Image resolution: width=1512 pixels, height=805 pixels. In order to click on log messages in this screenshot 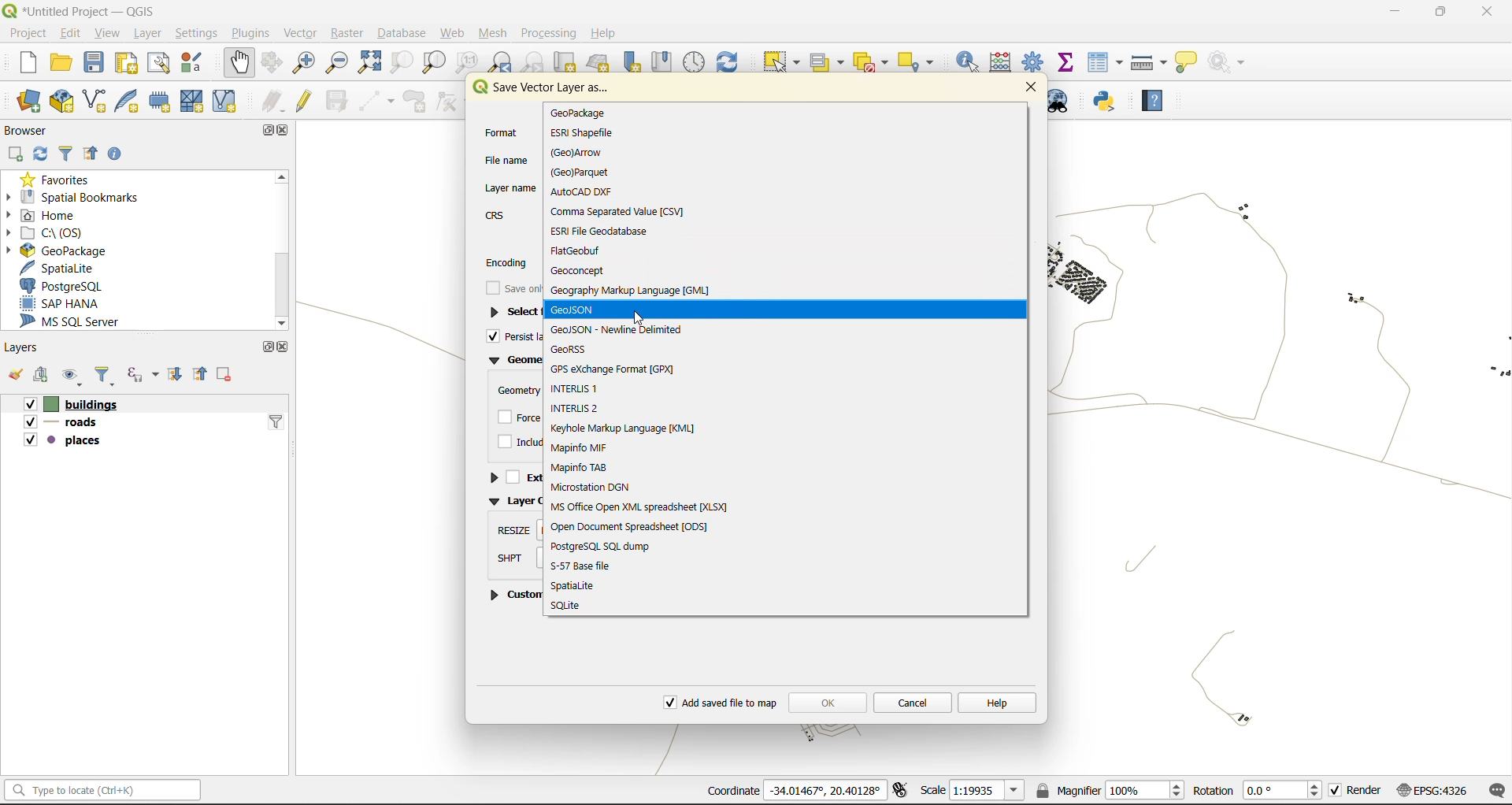, I will do `click(1494, 789)`.